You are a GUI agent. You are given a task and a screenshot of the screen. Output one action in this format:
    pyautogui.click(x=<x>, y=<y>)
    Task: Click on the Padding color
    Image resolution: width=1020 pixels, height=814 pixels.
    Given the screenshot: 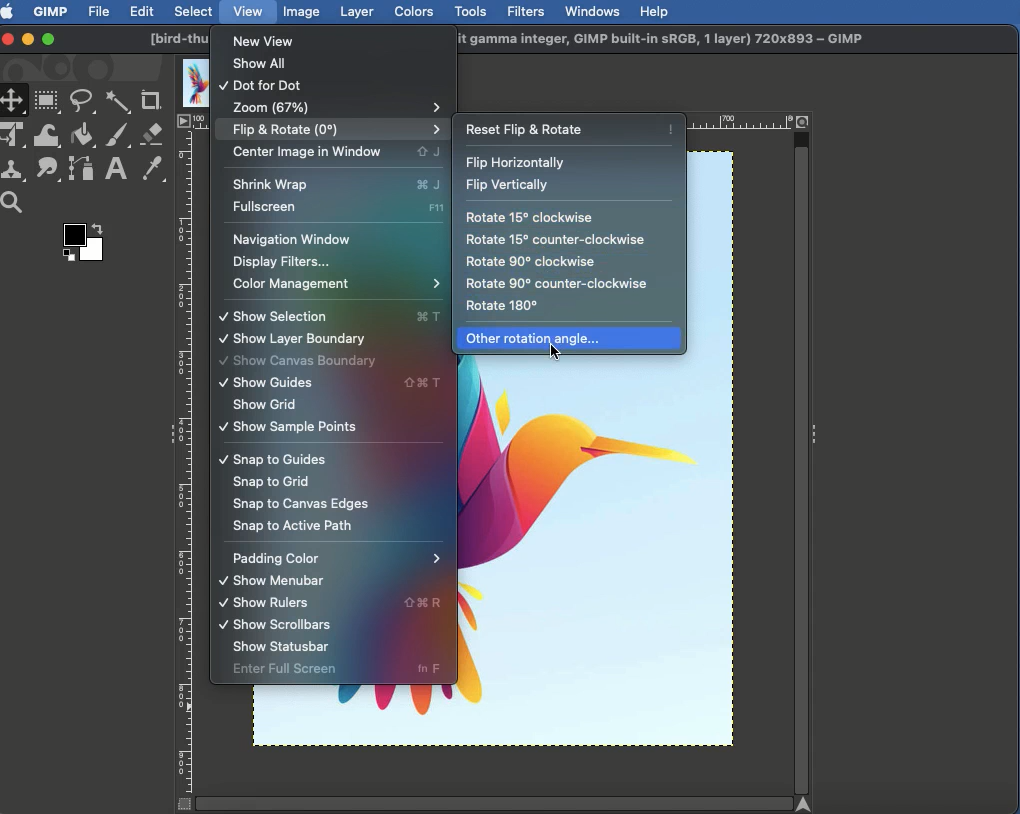 What is the action you would take?
    pyautogui.click(x=338, y=559)
    